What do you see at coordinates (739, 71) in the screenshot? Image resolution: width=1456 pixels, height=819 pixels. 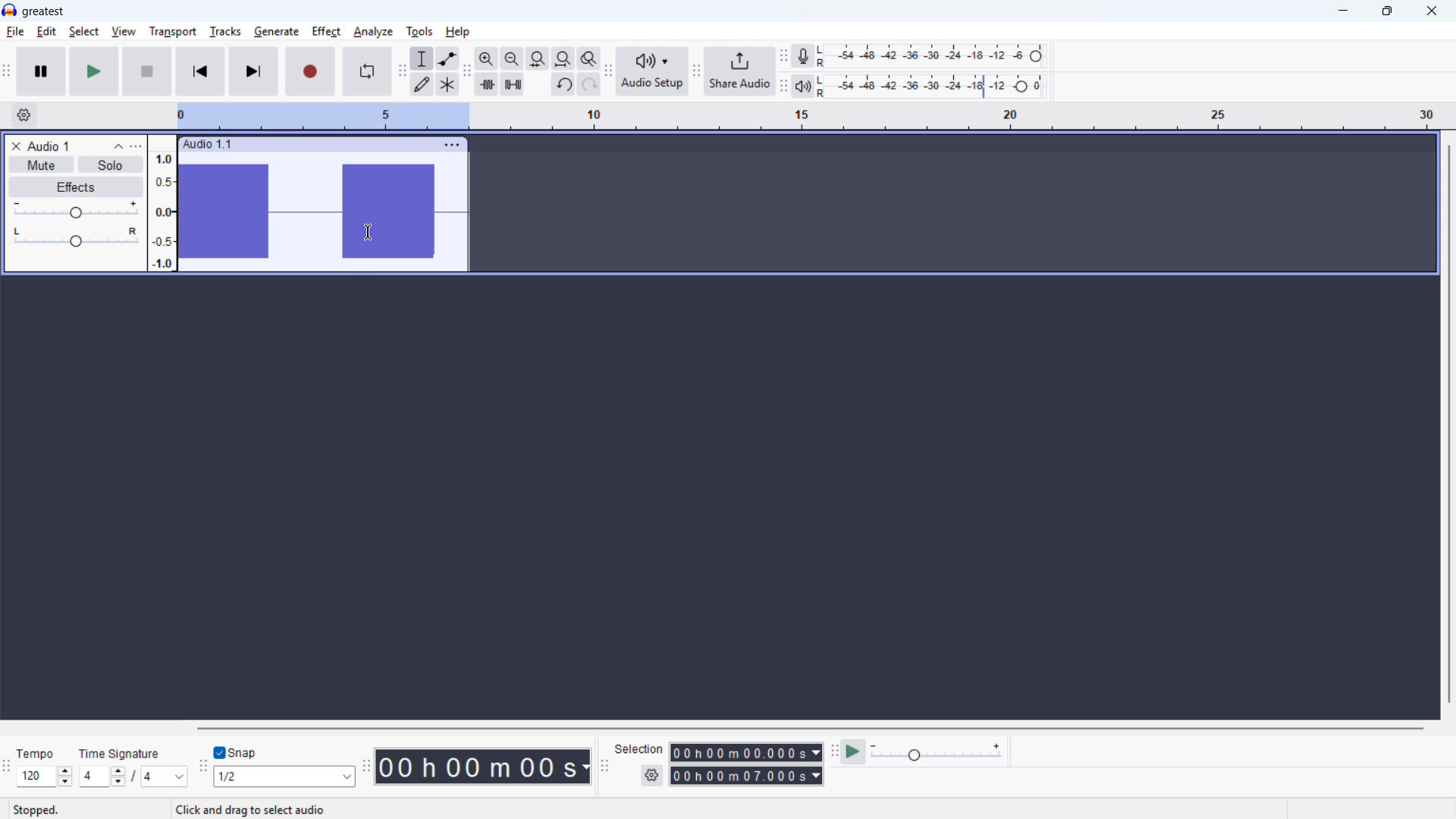 I see `Share audio ` at bounding box center [739, 71].